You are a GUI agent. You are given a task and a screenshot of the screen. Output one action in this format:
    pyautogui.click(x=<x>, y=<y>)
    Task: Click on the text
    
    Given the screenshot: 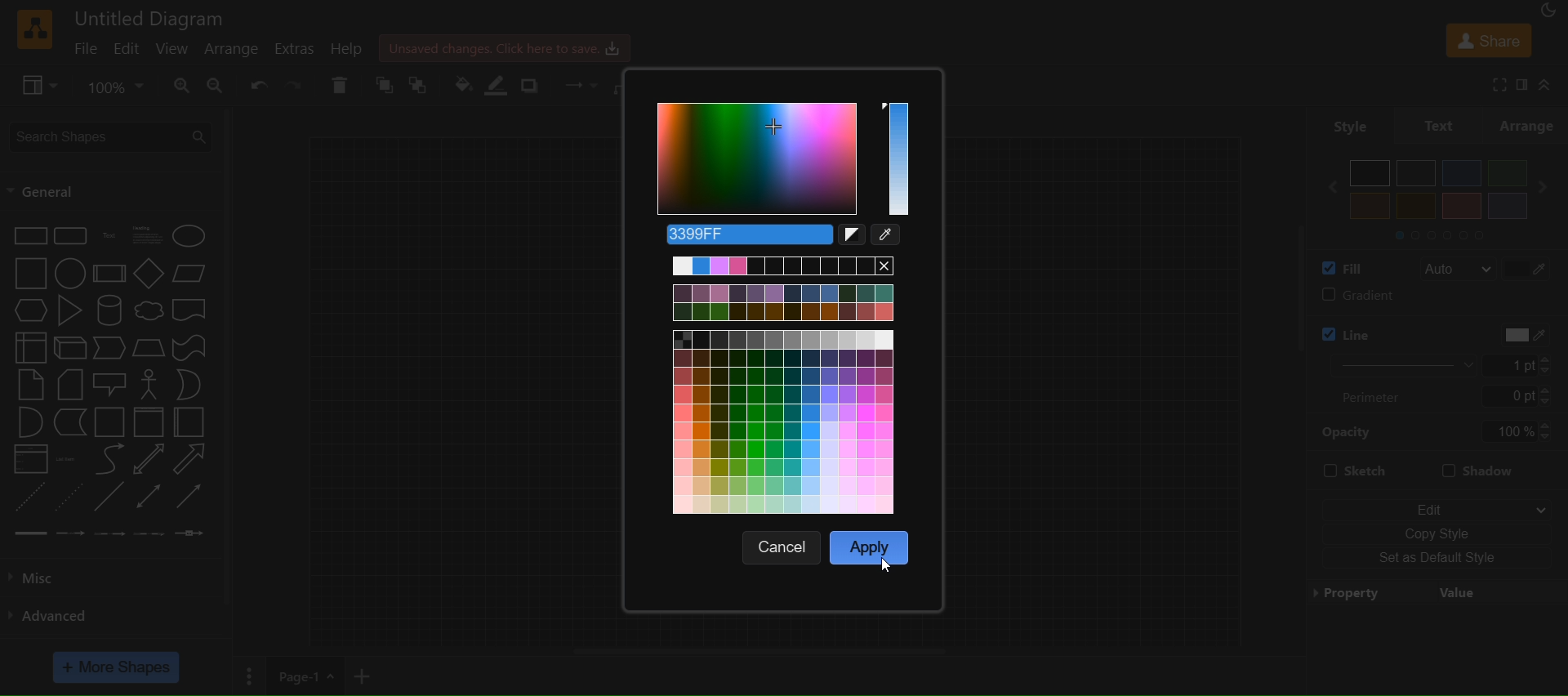 What is the action you would take?
    pyautogui.click(x=111, y=236)
    